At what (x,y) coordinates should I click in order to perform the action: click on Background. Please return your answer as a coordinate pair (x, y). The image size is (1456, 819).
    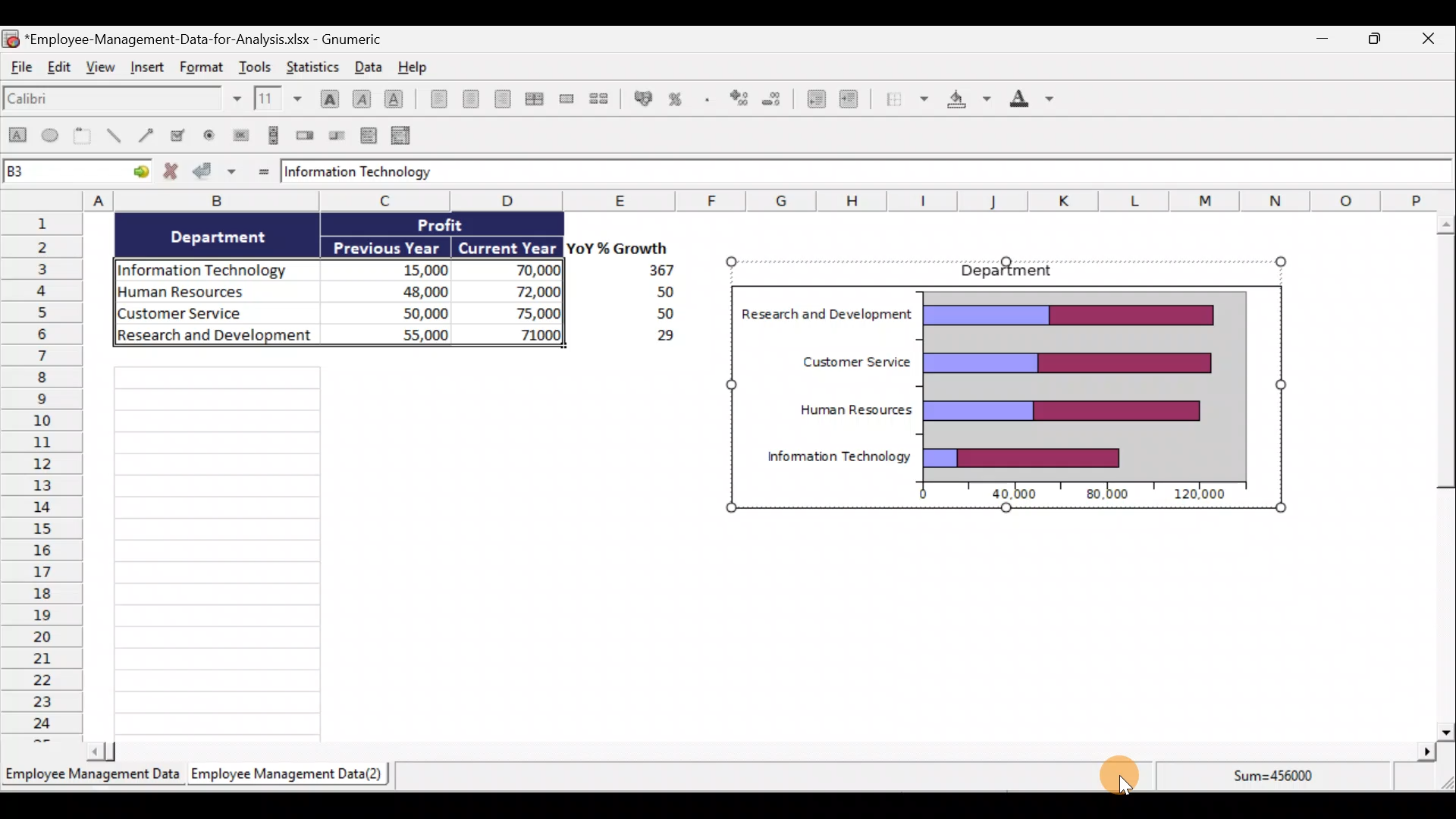
    Looking at the image, I should click on (968, 102).